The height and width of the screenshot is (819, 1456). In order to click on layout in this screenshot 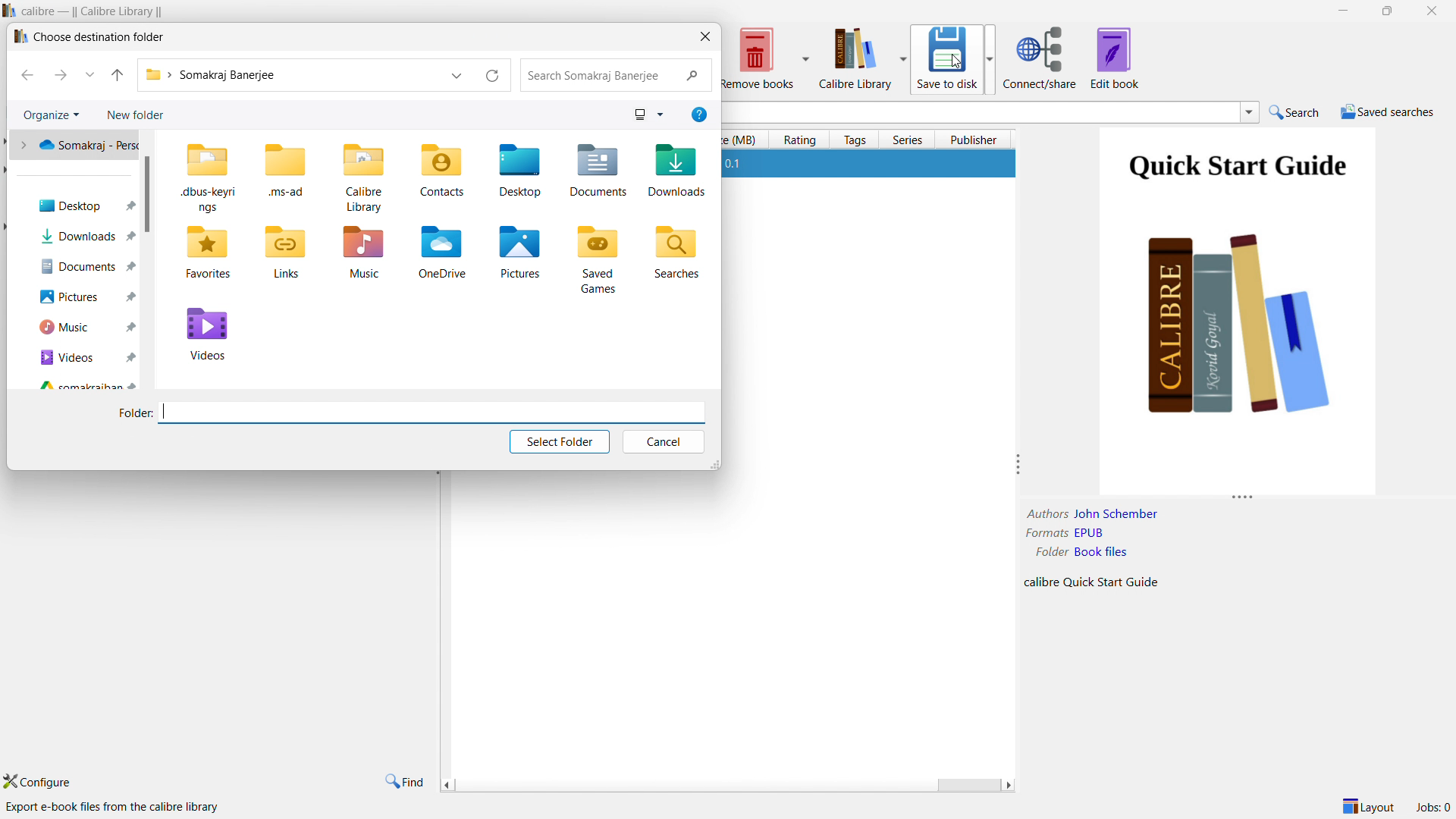, I will do `click(1363, 806)`.